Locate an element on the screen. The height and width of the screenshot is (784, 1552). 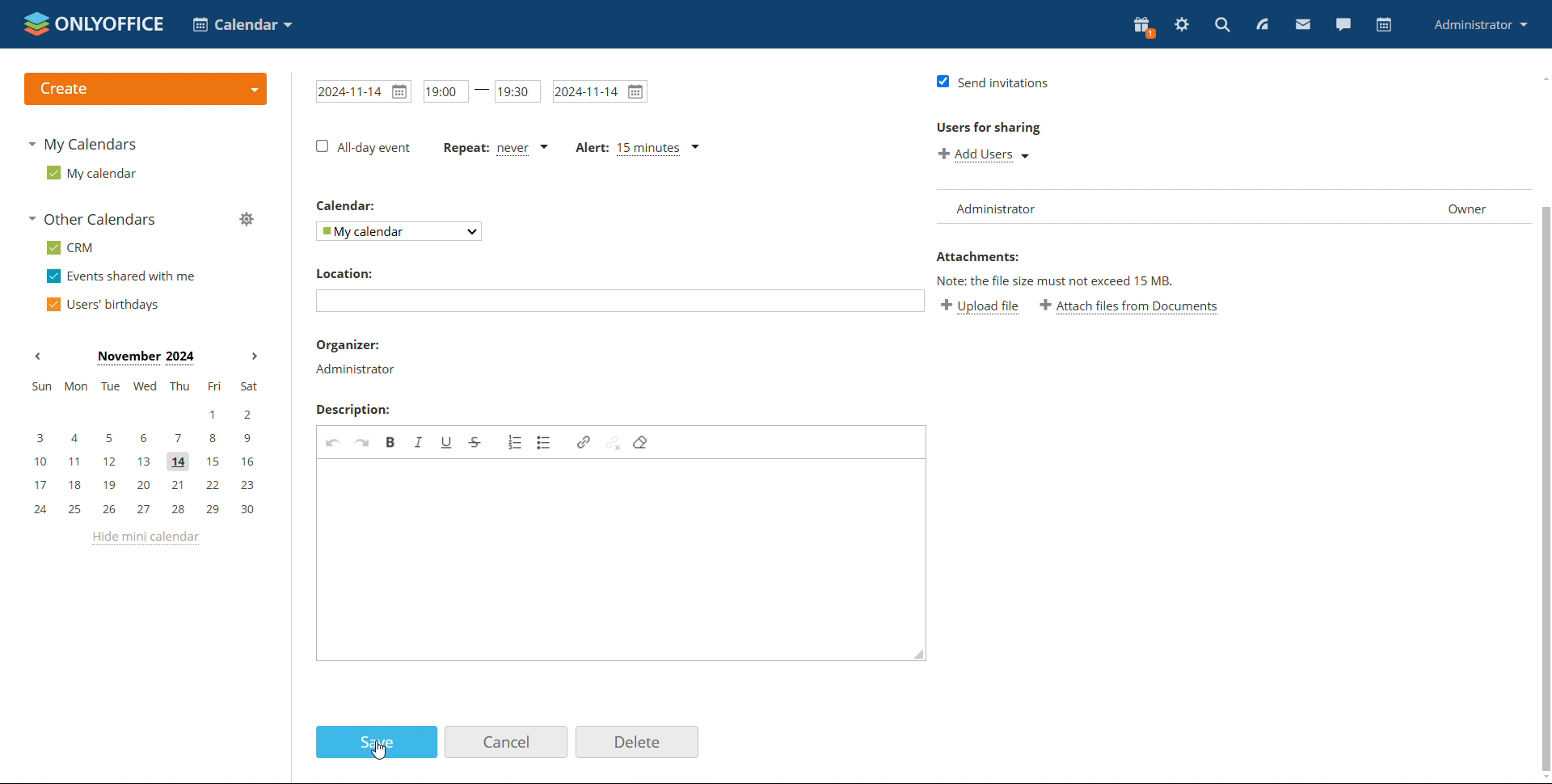
Administrator is located at coordinates (366, 369).